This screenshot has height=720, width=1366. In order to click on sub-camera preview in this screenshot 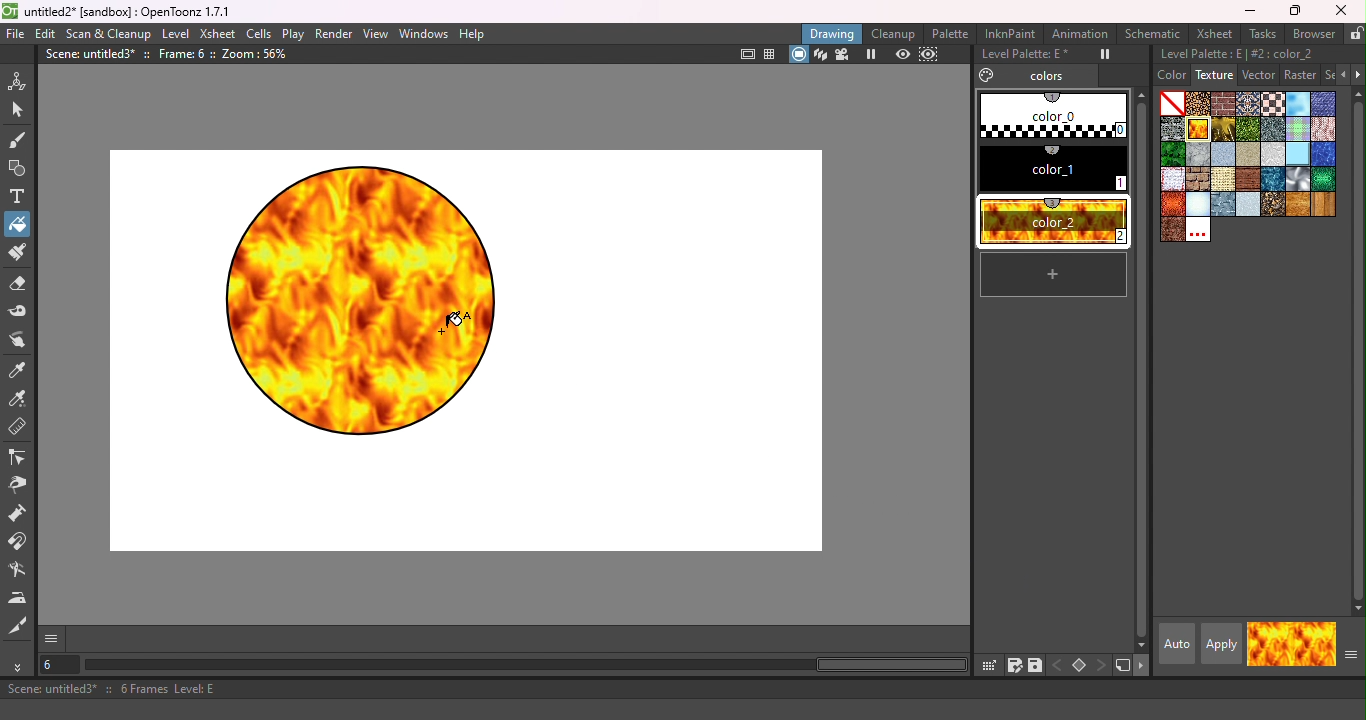, I will do `click(929, 54)`.